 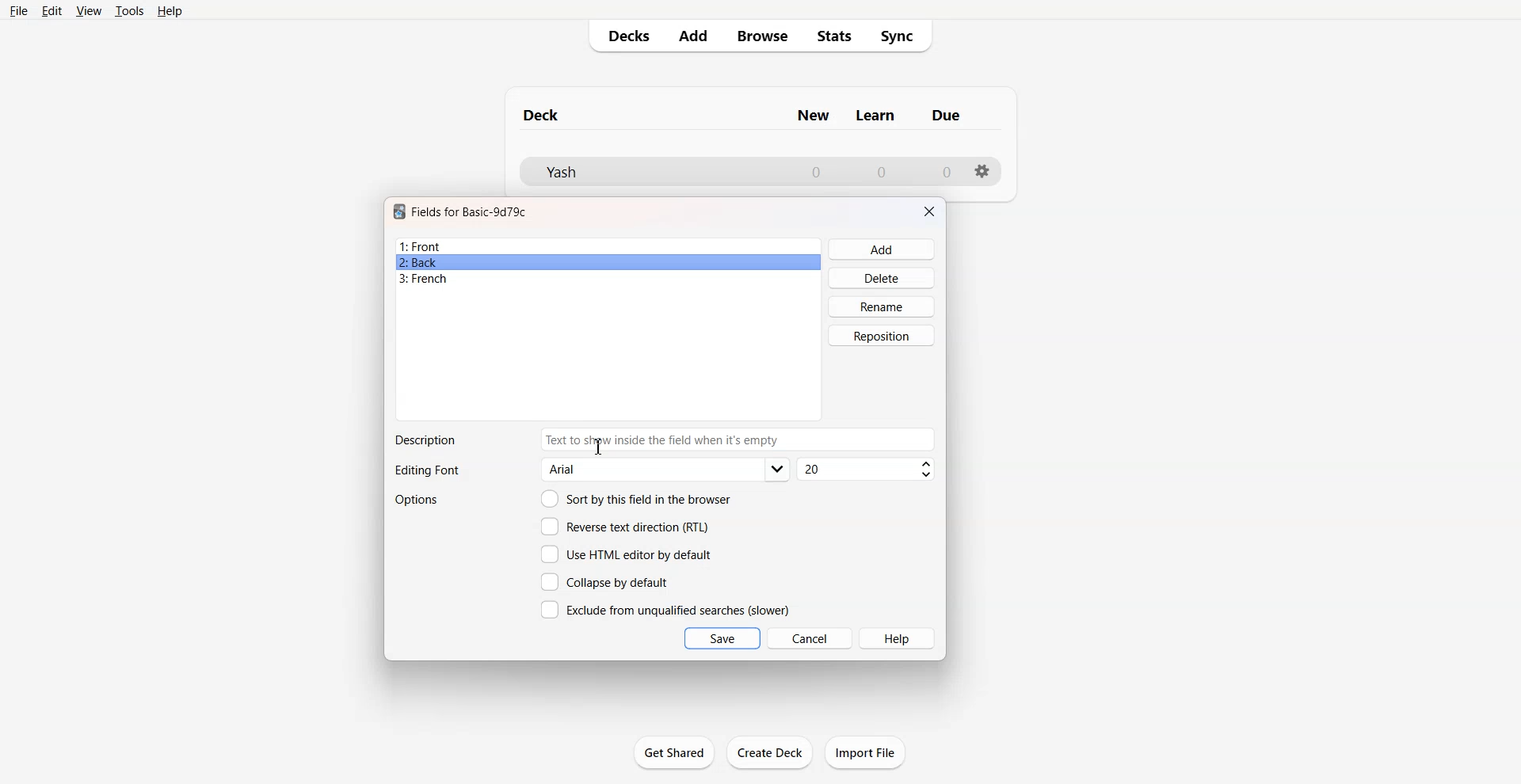 What do you see at coordinates (882, 306) in the screenshot?
I see `Rename` at bounding box center [882, 306].